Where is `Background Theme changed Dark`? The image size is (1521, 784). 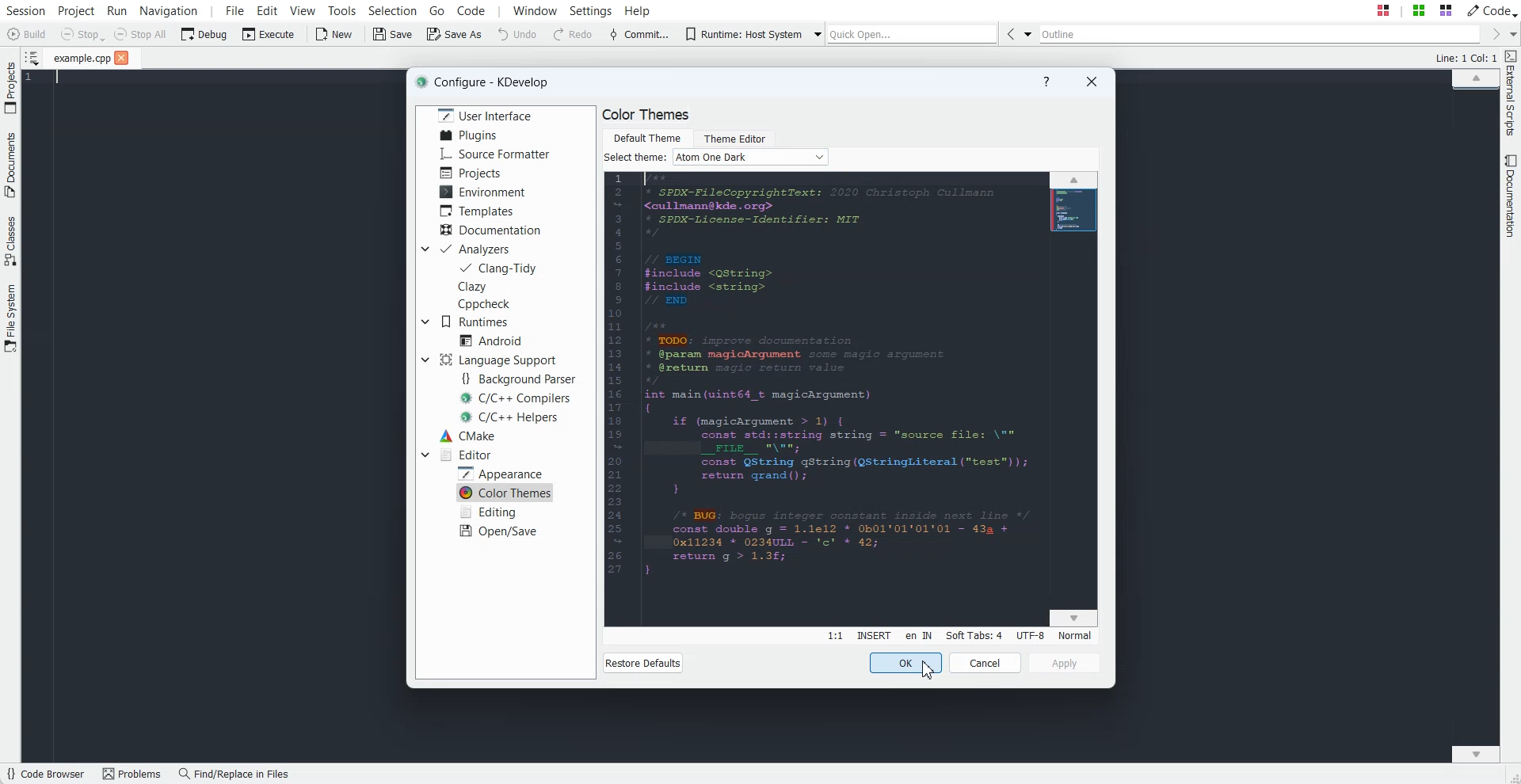
Background Theme changed Dark is located at coordinates (211, 430).